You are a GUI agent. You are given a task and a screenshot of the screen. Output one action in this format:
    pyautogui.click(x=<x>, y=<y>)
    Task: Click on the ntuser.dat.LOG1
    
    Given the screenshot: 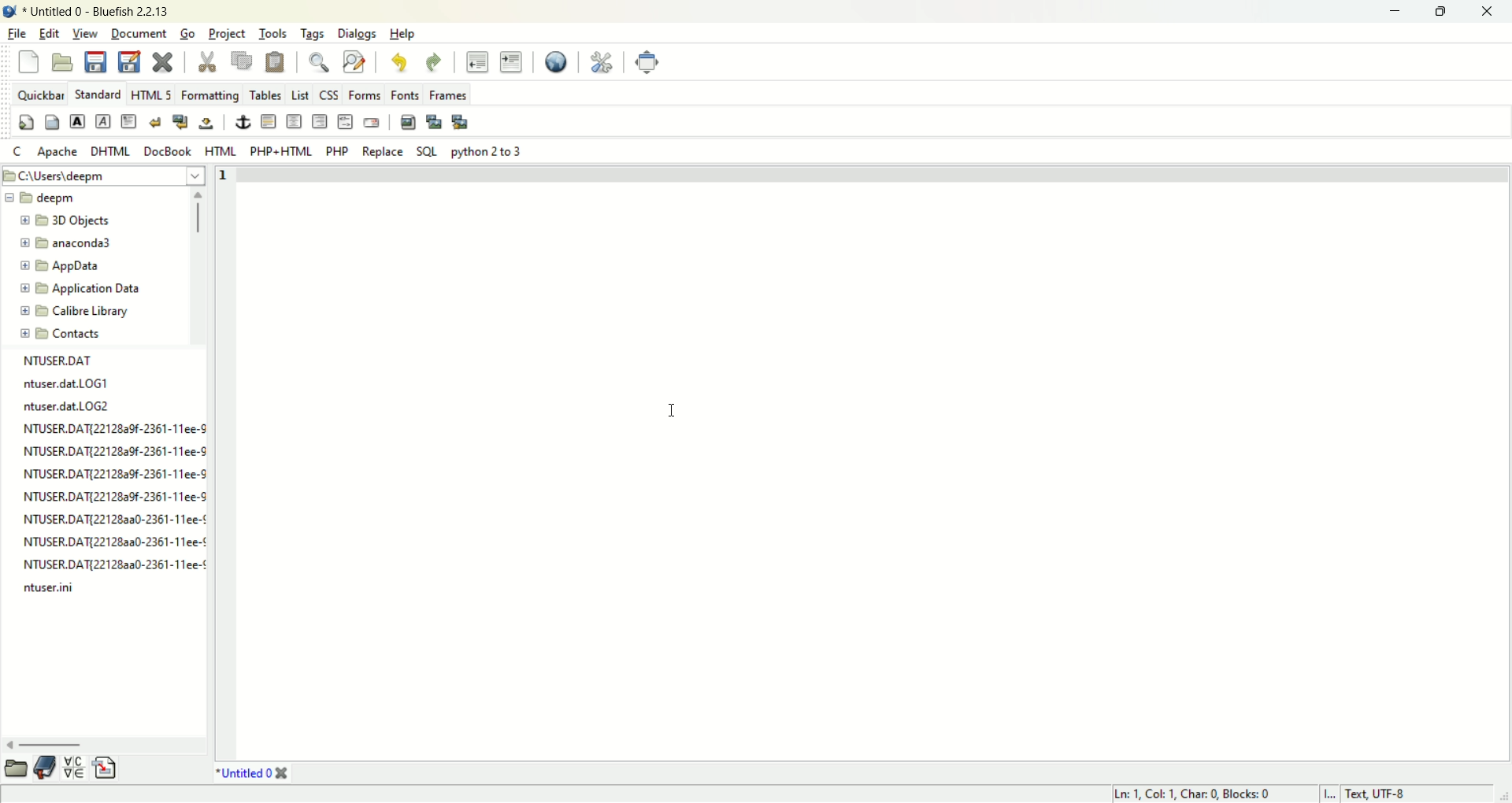 What is the action you would take?
    pyautogui.click(x=77, y=383)
    